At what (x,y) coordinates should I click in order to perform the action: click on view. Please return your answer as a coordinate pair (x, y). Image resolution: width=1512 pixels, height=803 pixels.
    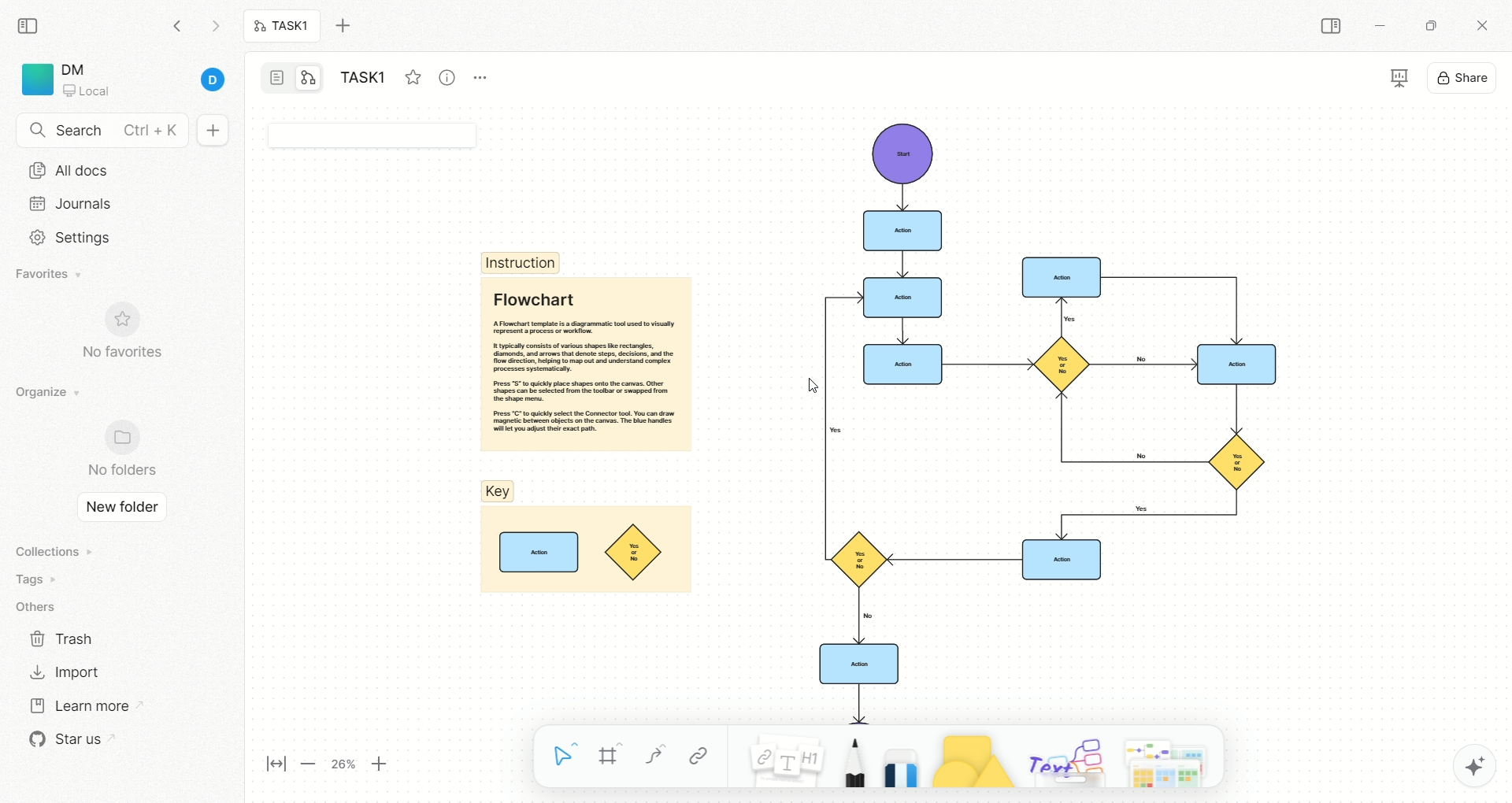
    Looking at the image, I should click on (1386, 80).